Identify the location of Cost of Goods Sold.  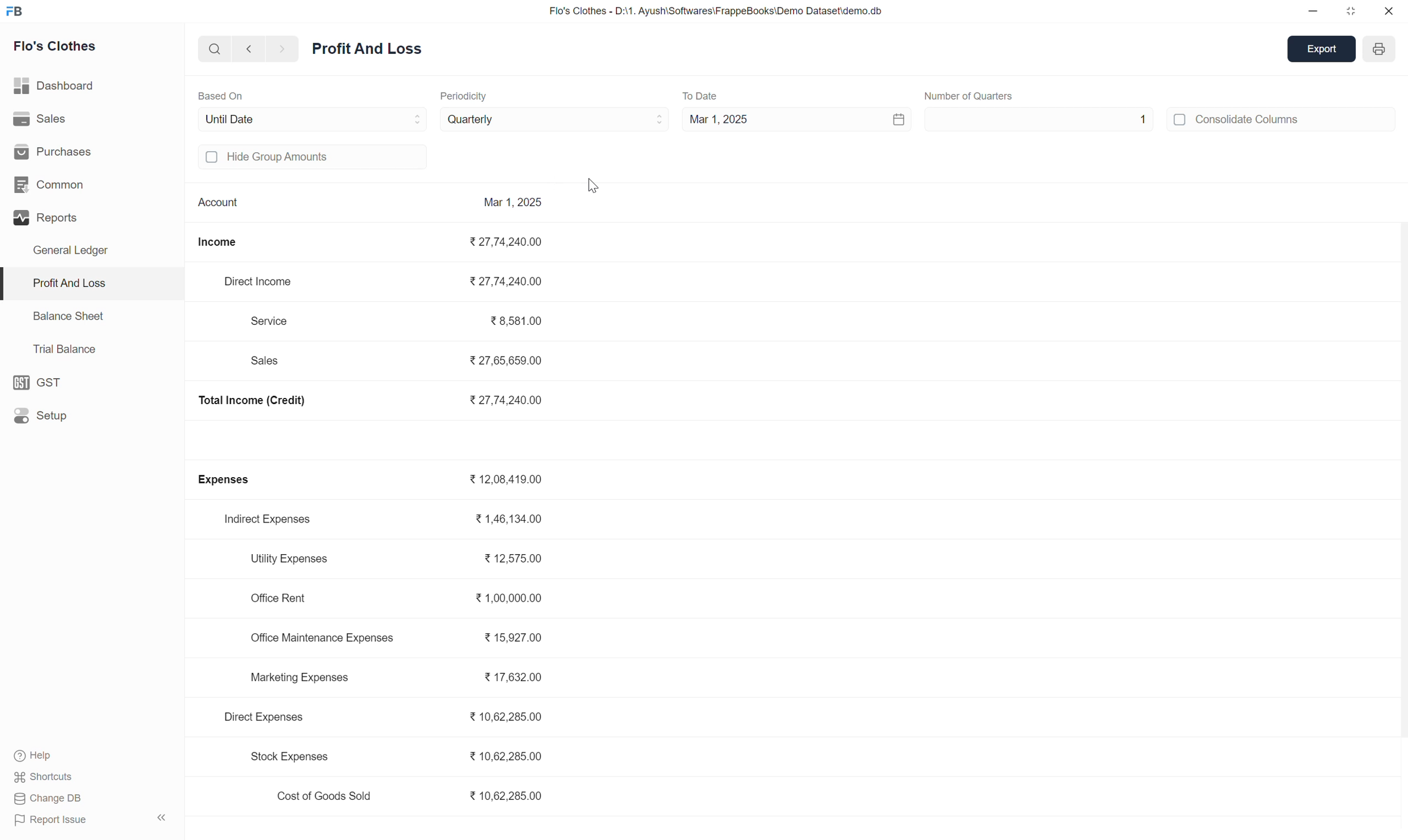
(319, 796).